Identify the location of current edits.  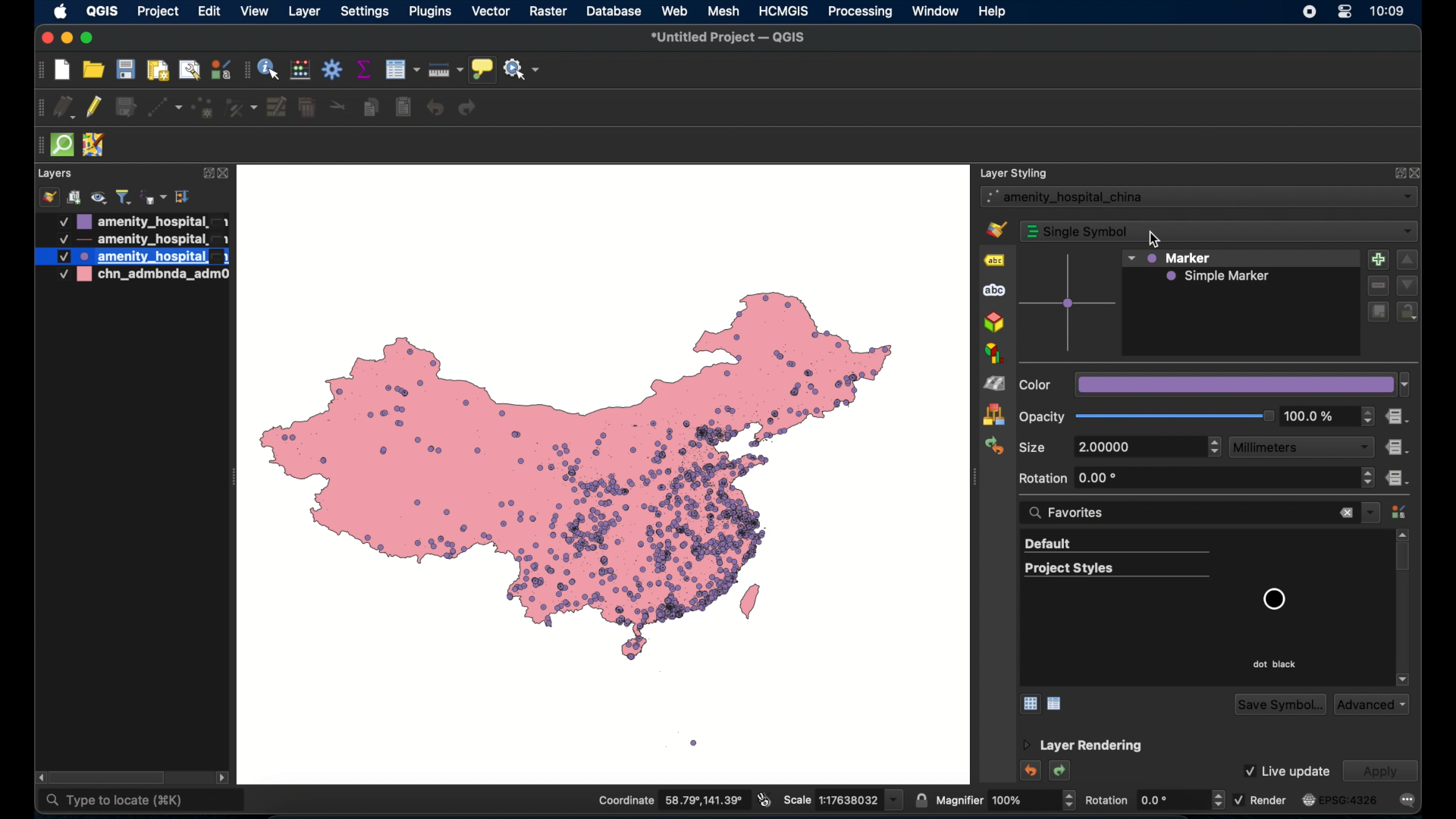
(64, 106).